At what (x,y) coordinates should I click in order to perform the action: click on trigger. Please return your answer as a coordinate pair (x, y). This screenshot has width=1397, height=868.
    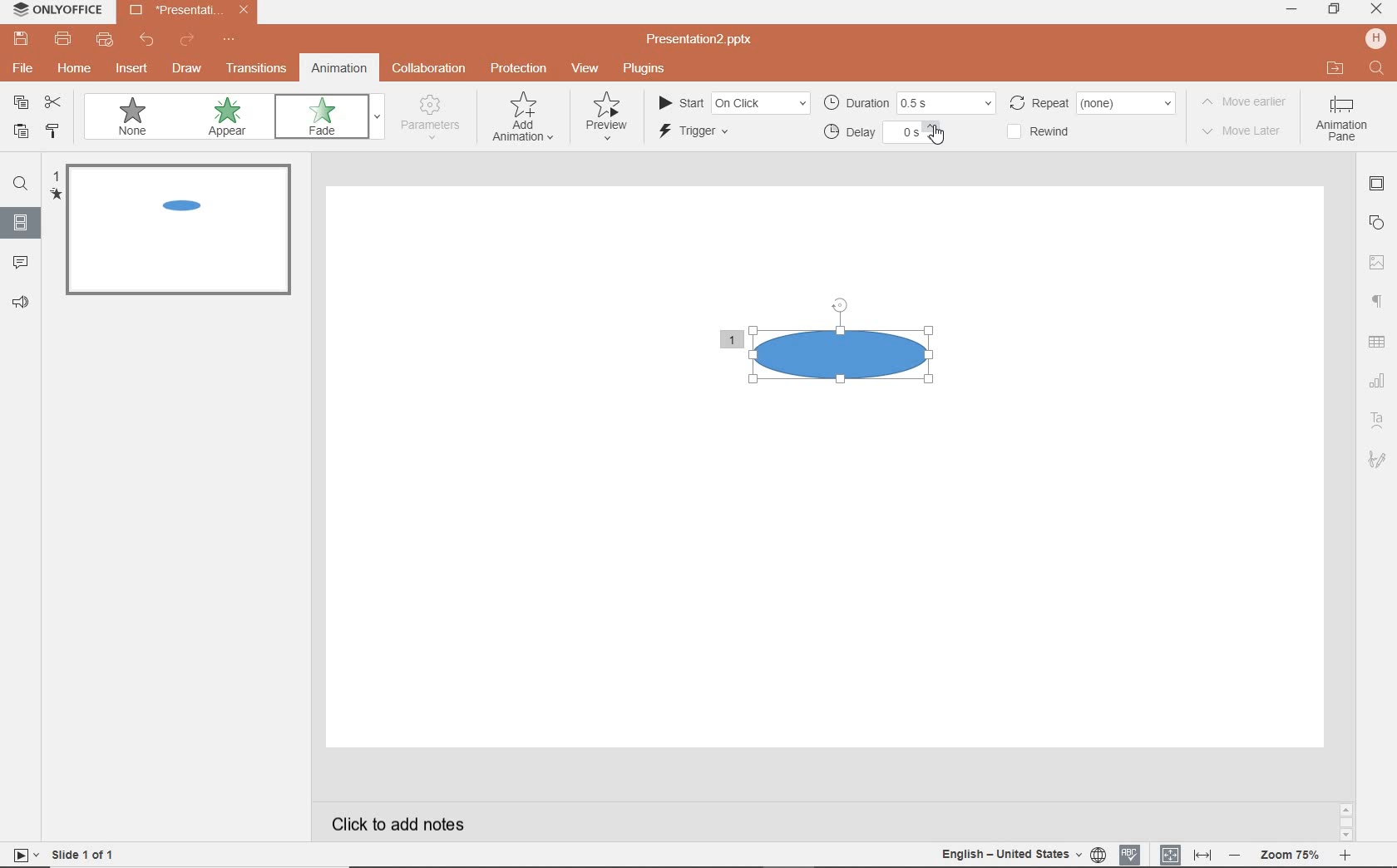
    Looking at the image, I should click on (699, 131).